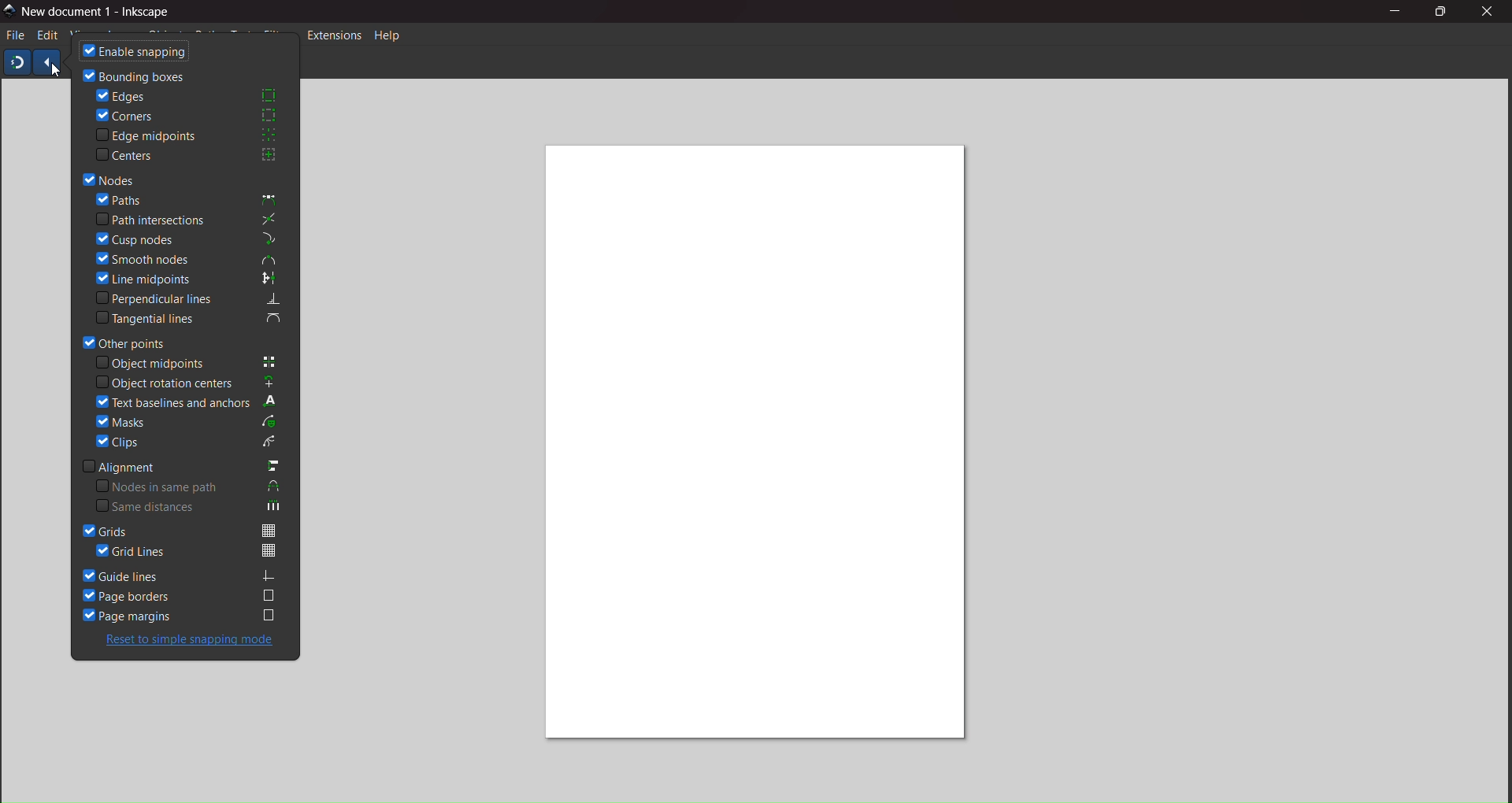 The image size is (1512, 803). Describe the element at coordinates (135, 75) in the screenshot. I see `bounding boxes` at that location.